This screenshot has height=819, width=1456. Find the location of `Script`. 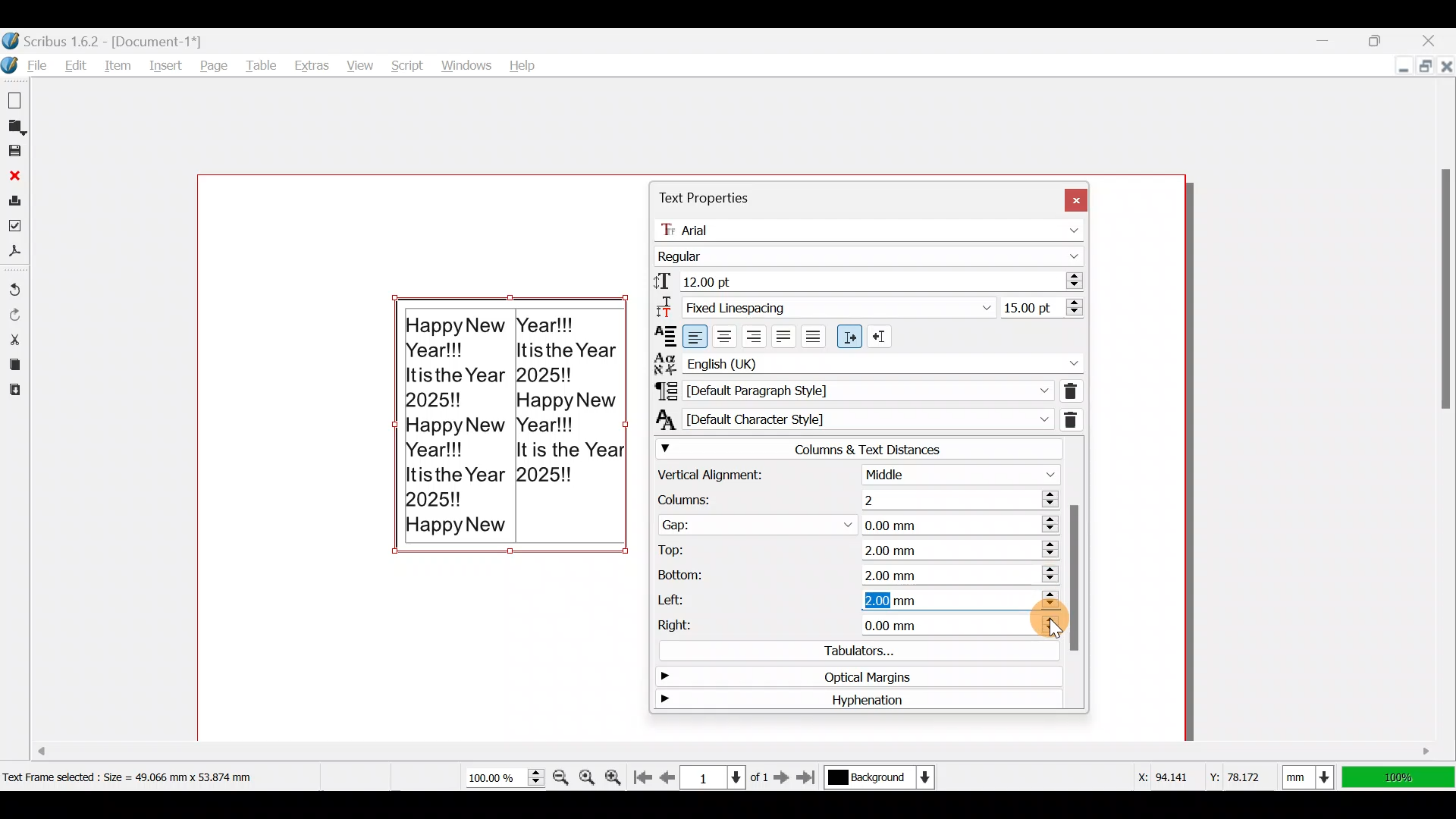

Script is located at coordinates (402, 61).